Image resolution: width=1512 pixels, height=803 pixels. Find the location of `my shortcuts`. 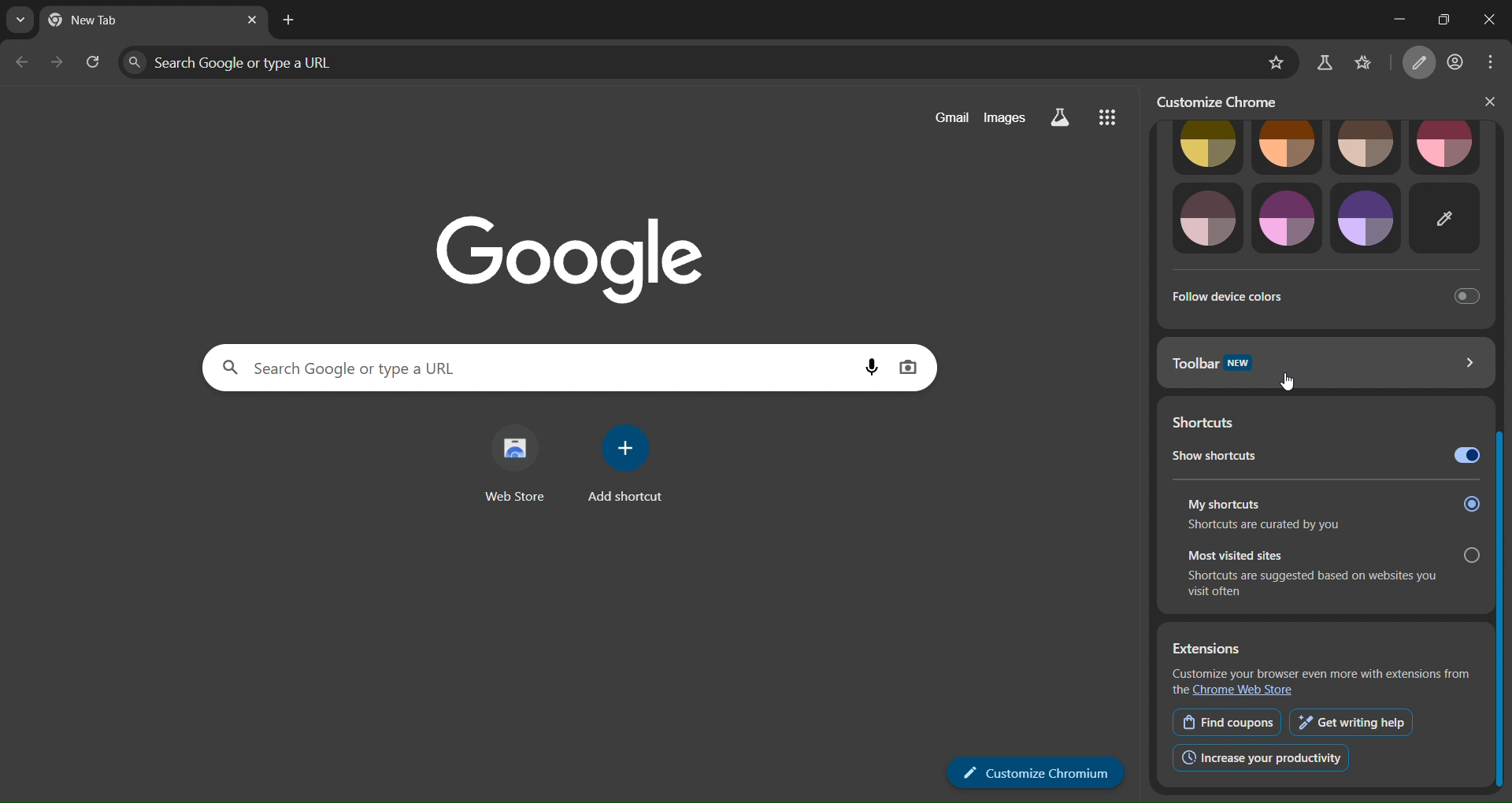

my shortcuts is located at coordinates (1332, 500).